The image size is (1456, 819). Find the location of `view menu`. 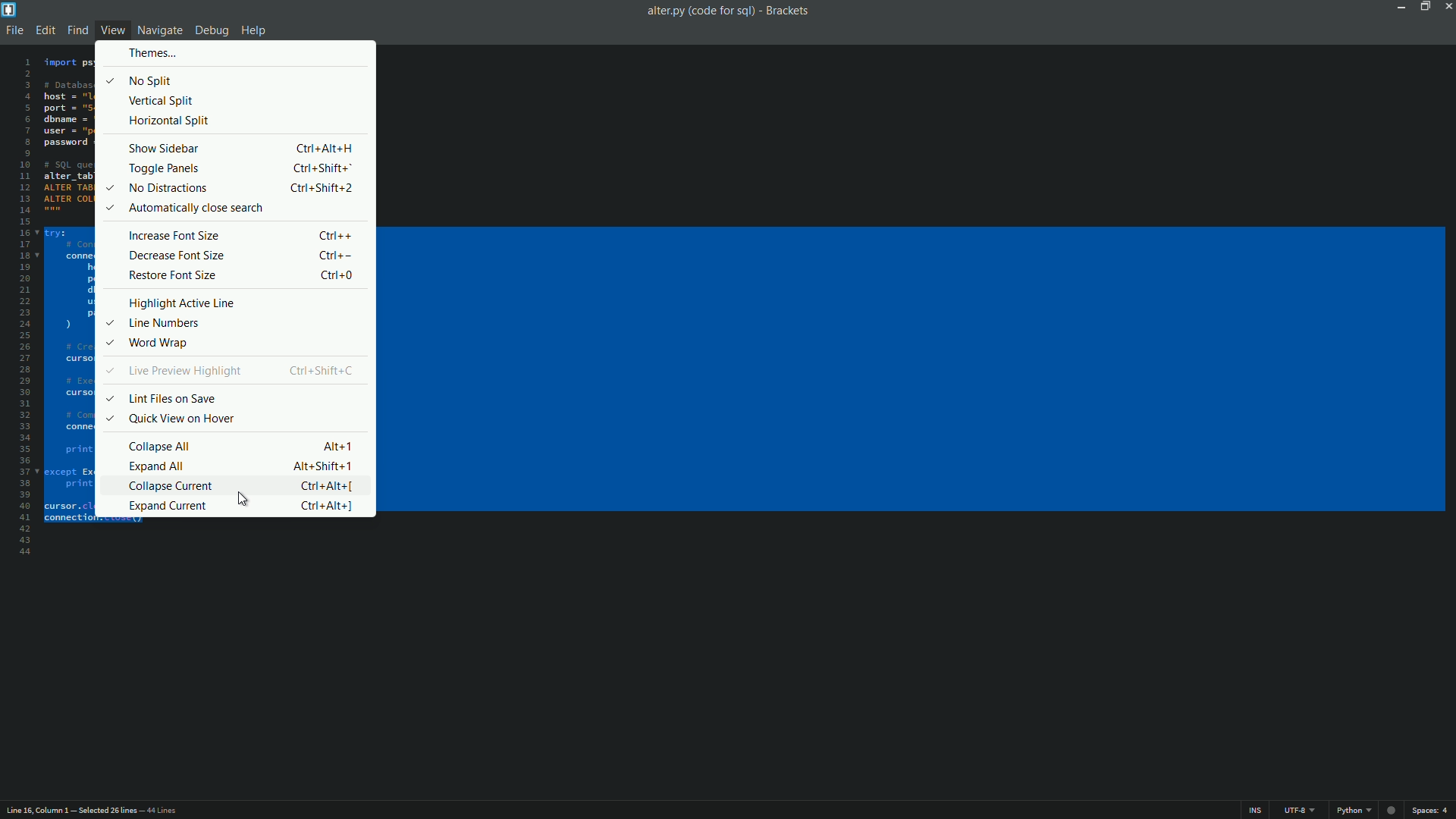

view menu is located at coordinates (115, 30).